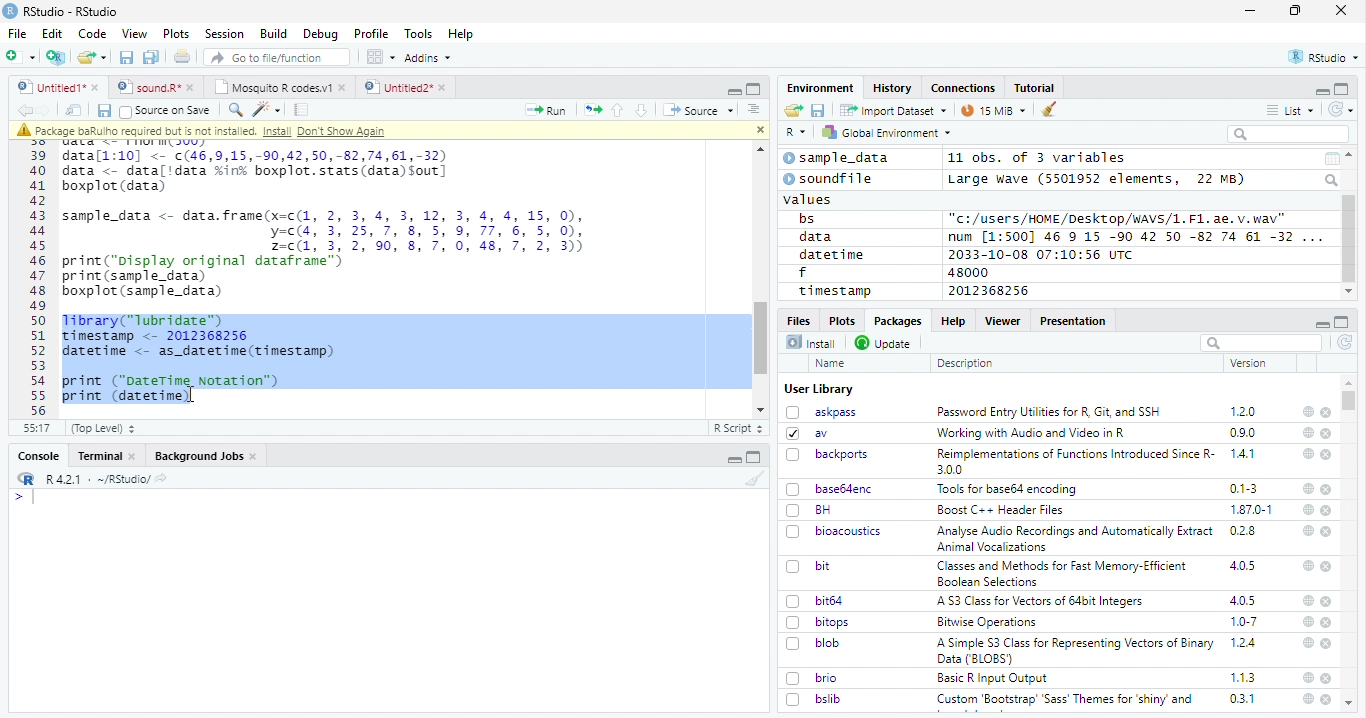  I want to click on 0.9.0, so click(1243, 433).